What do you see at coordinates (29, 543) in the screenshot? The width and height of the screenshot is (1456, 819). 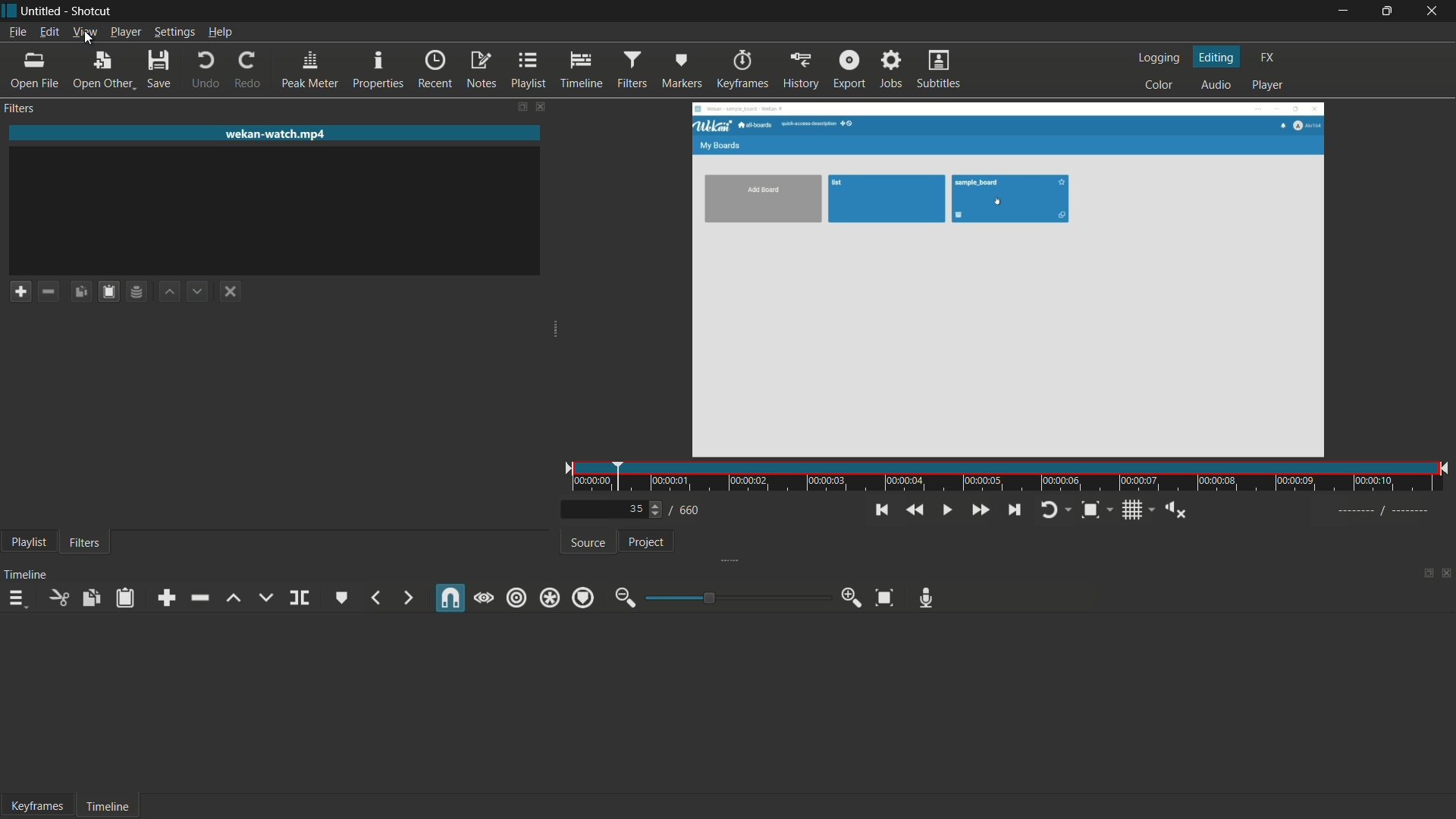 I see `playlist` at bounding box center [29, 543].